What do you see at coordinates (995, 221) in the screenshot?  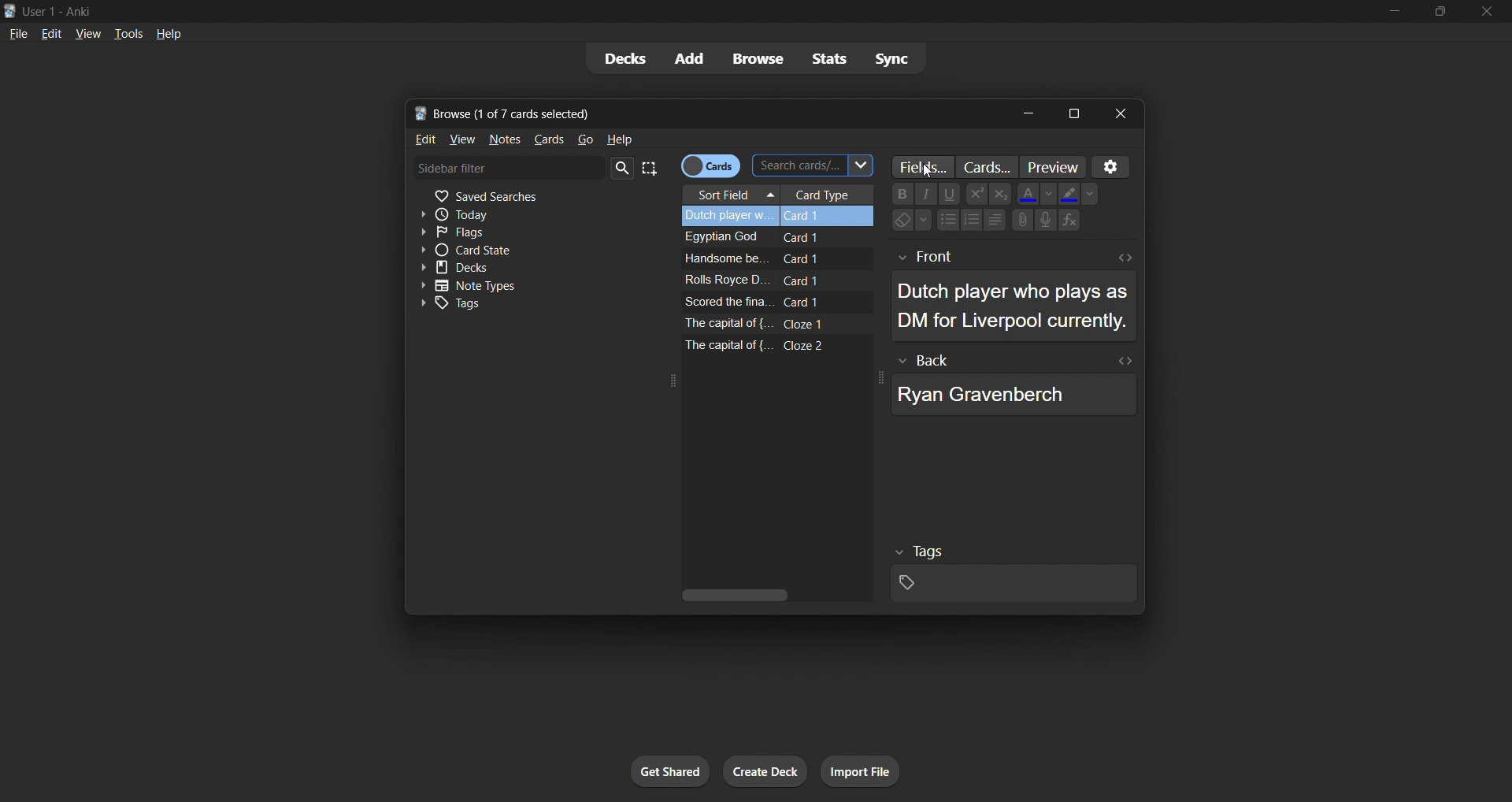 I see `Alignments` at bounding box center [995, 221].